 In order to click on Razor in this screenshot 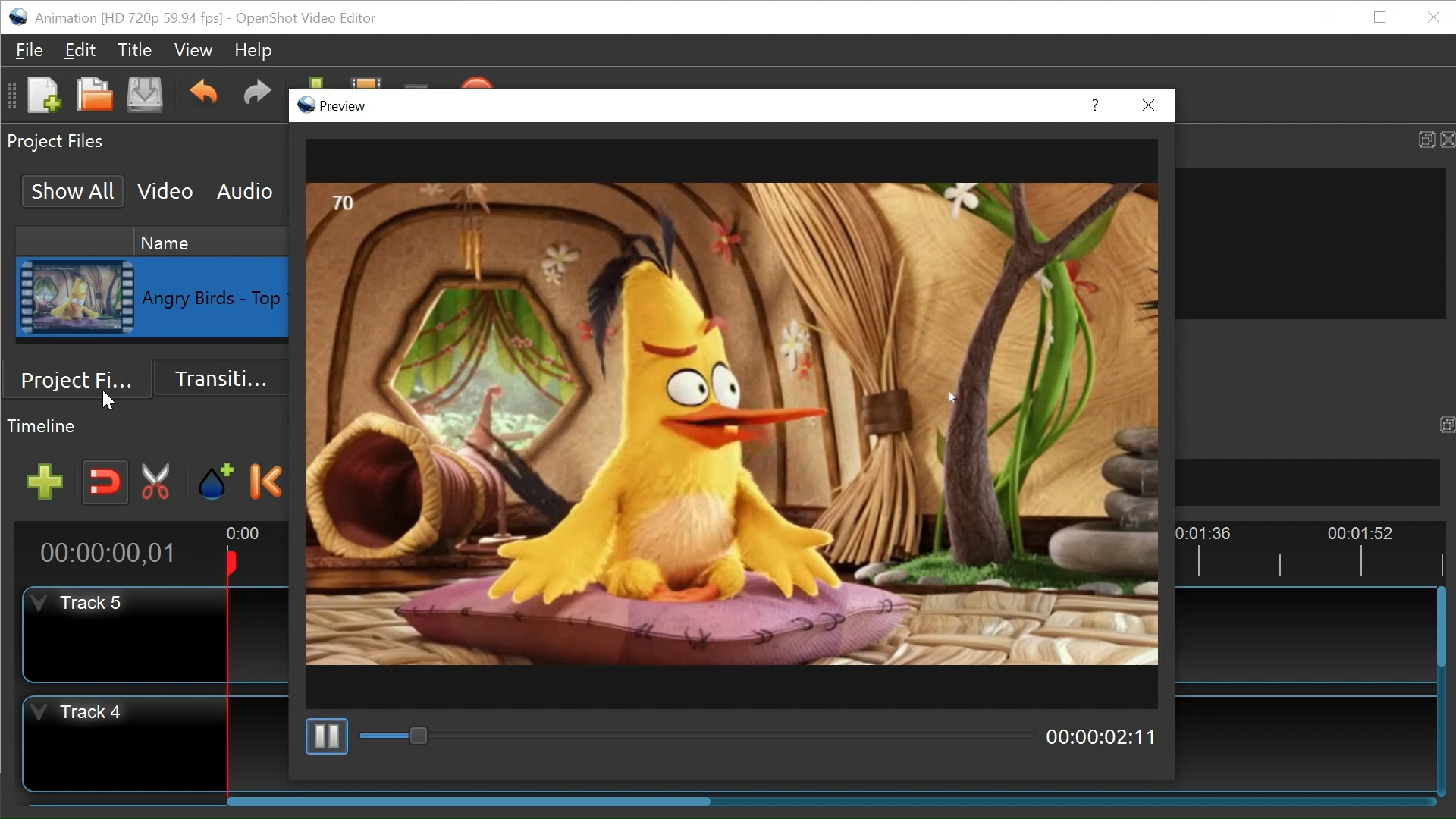, I will do `click(157, 483)`.